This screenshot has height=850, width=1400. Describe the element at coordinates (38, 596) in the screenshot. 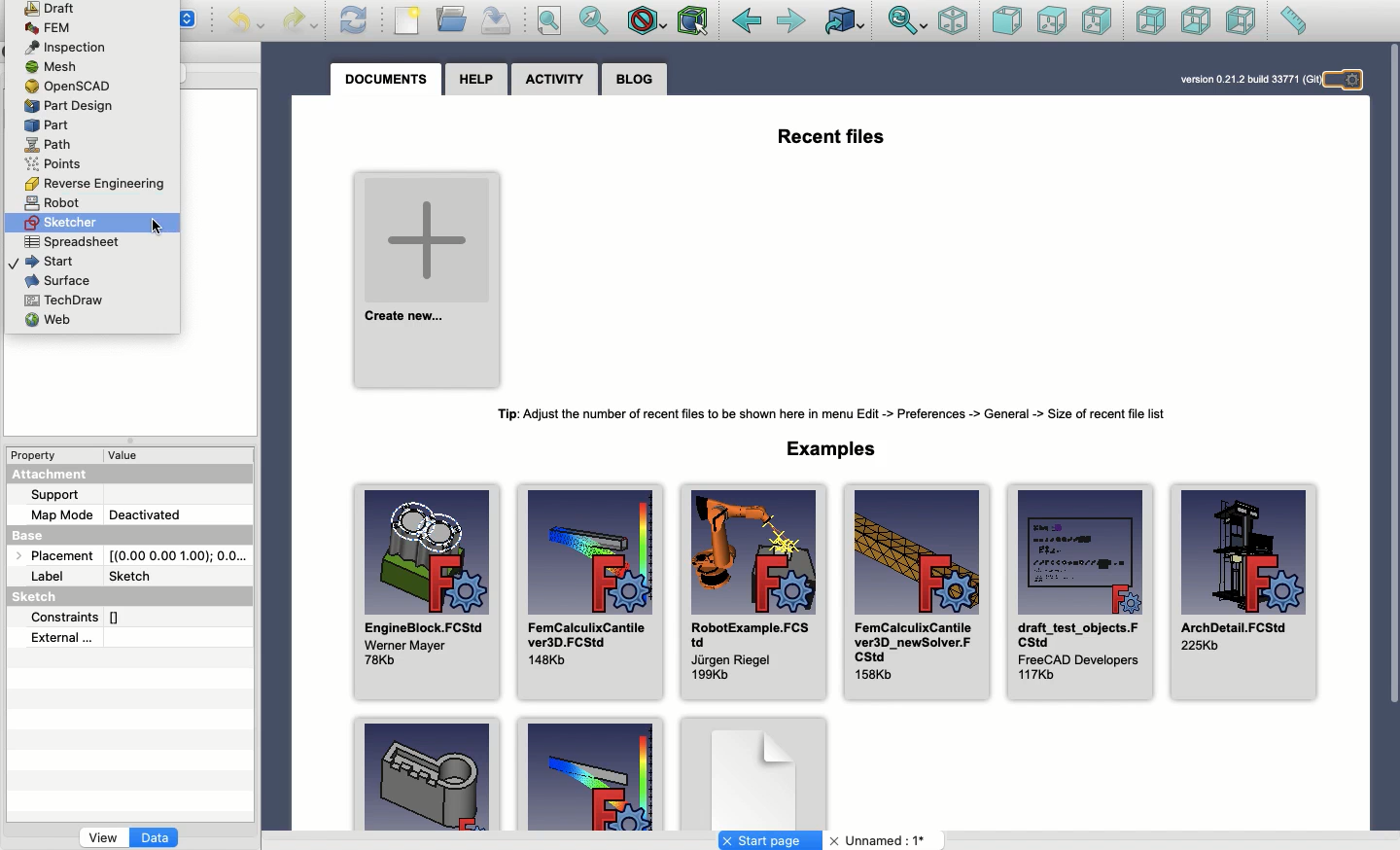

I see `Sketch` at that location.